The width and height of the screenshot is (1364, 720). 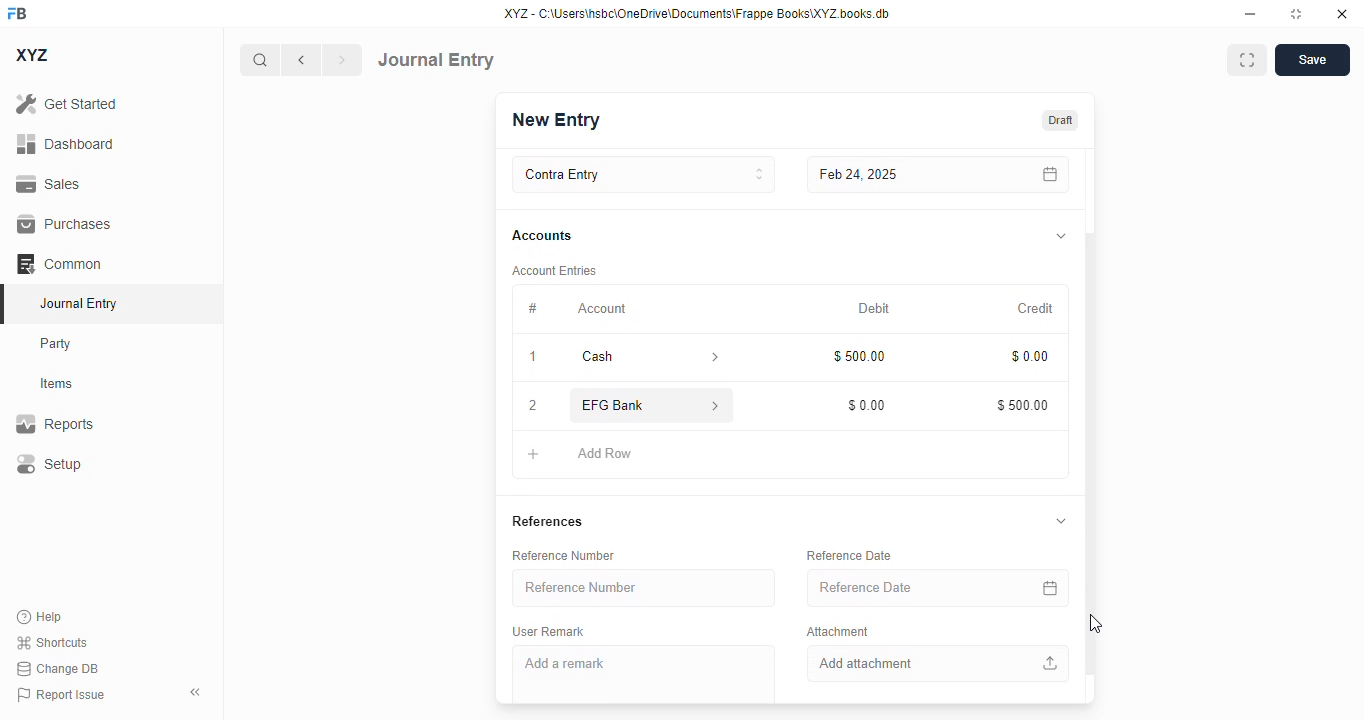 I want to click on purchases, so click(x=66, y=224).